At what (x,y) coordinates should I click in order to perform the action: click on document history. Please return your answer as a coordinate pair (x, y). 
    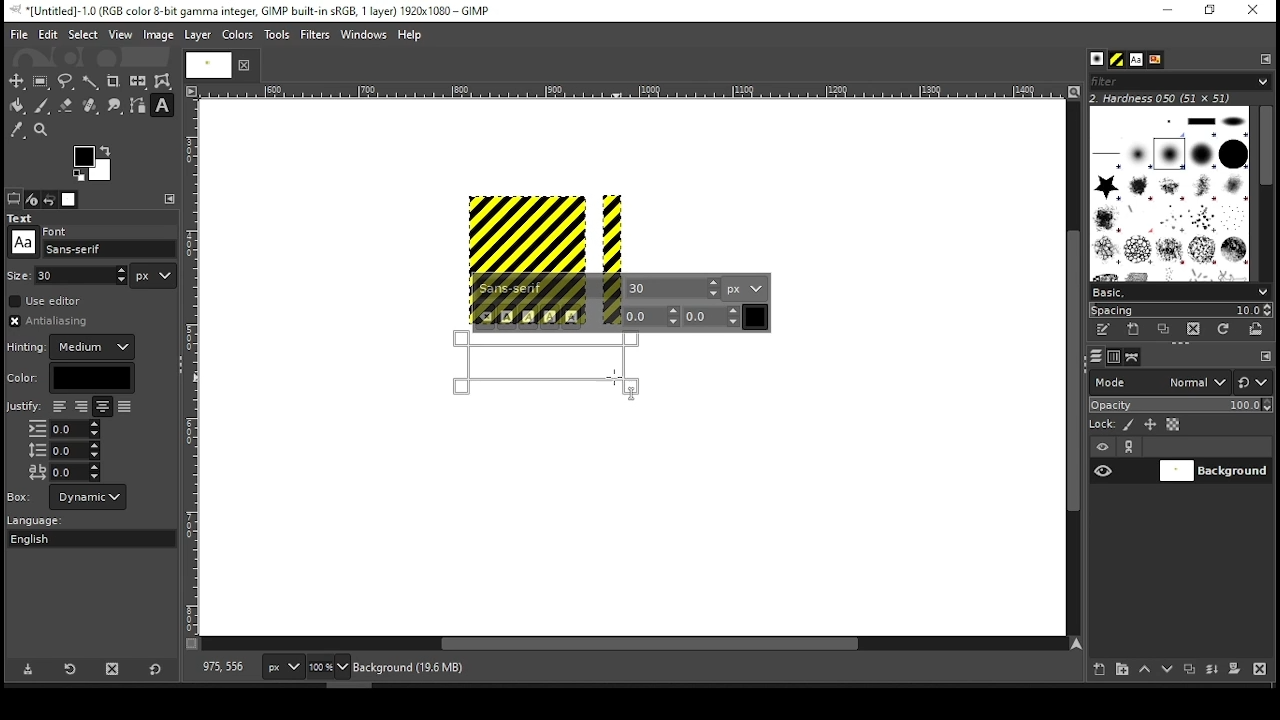
    Looking at the image, I should click on (1154, 60).